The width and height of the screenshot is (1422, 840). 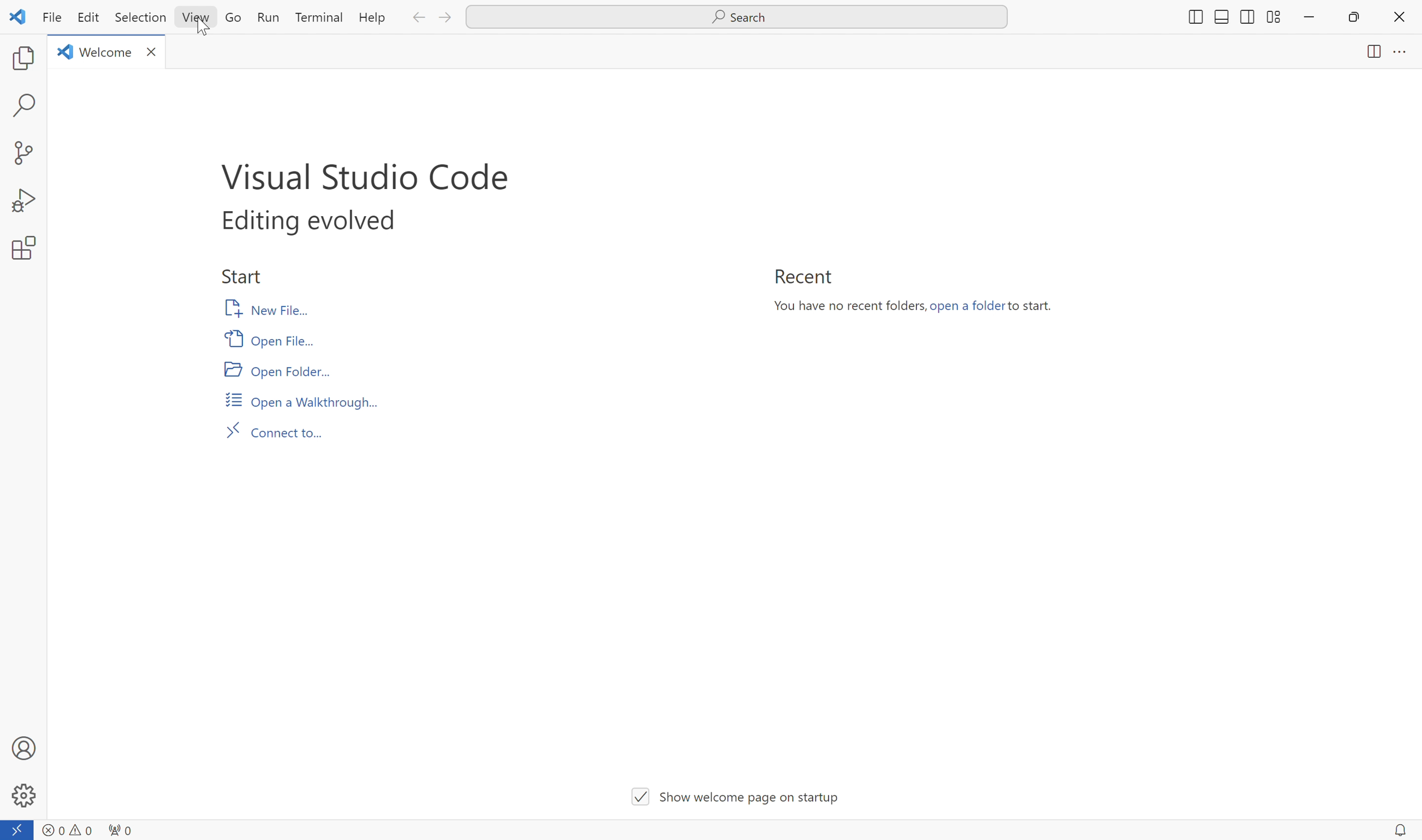 What do you see at coordinates (19, 59) in the screenshot?
I see `copy` at bounding box center [19, 59].